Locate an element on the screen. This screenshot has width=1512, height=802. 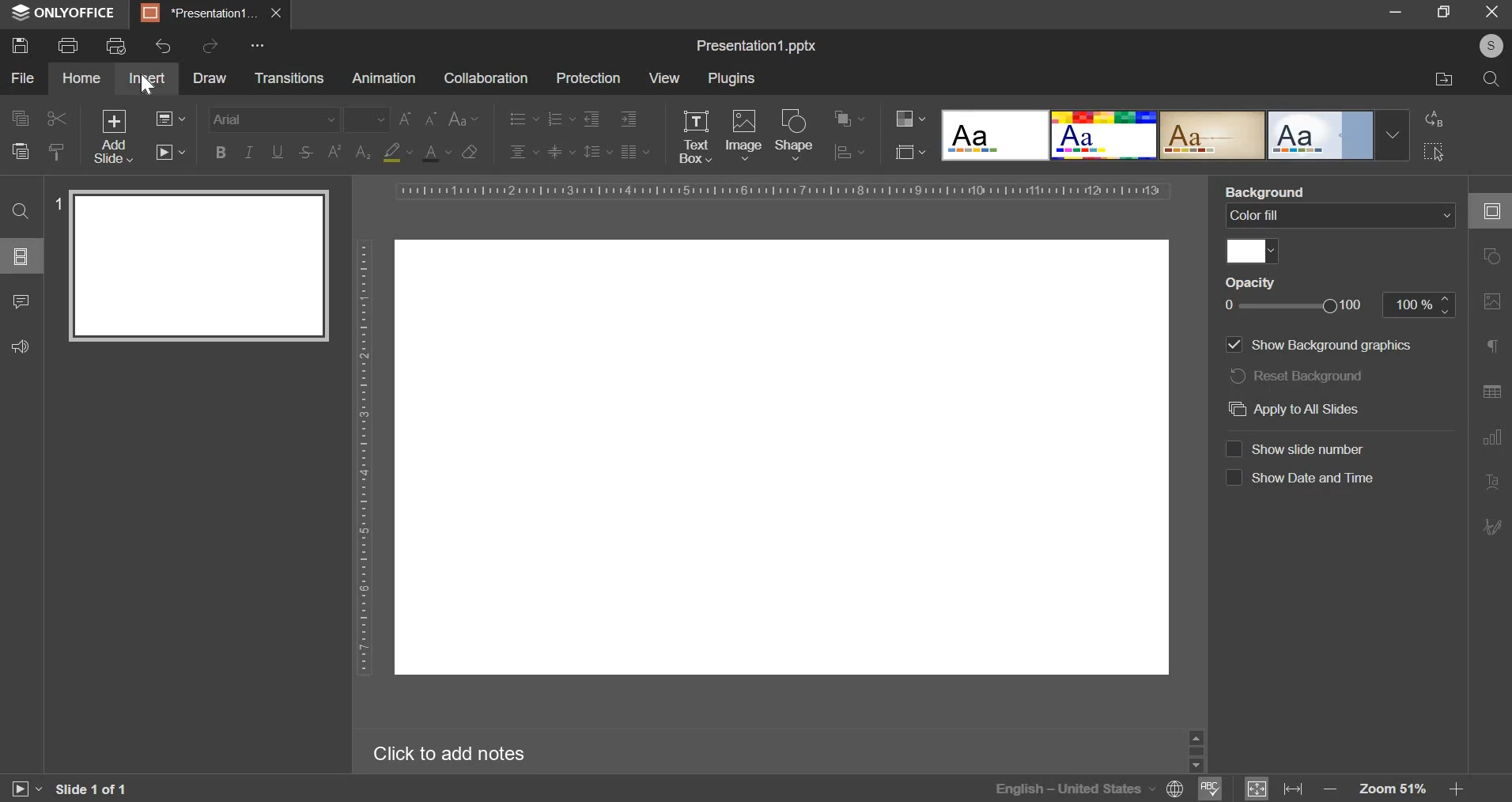
add slide is located at coordinates (112, 135).